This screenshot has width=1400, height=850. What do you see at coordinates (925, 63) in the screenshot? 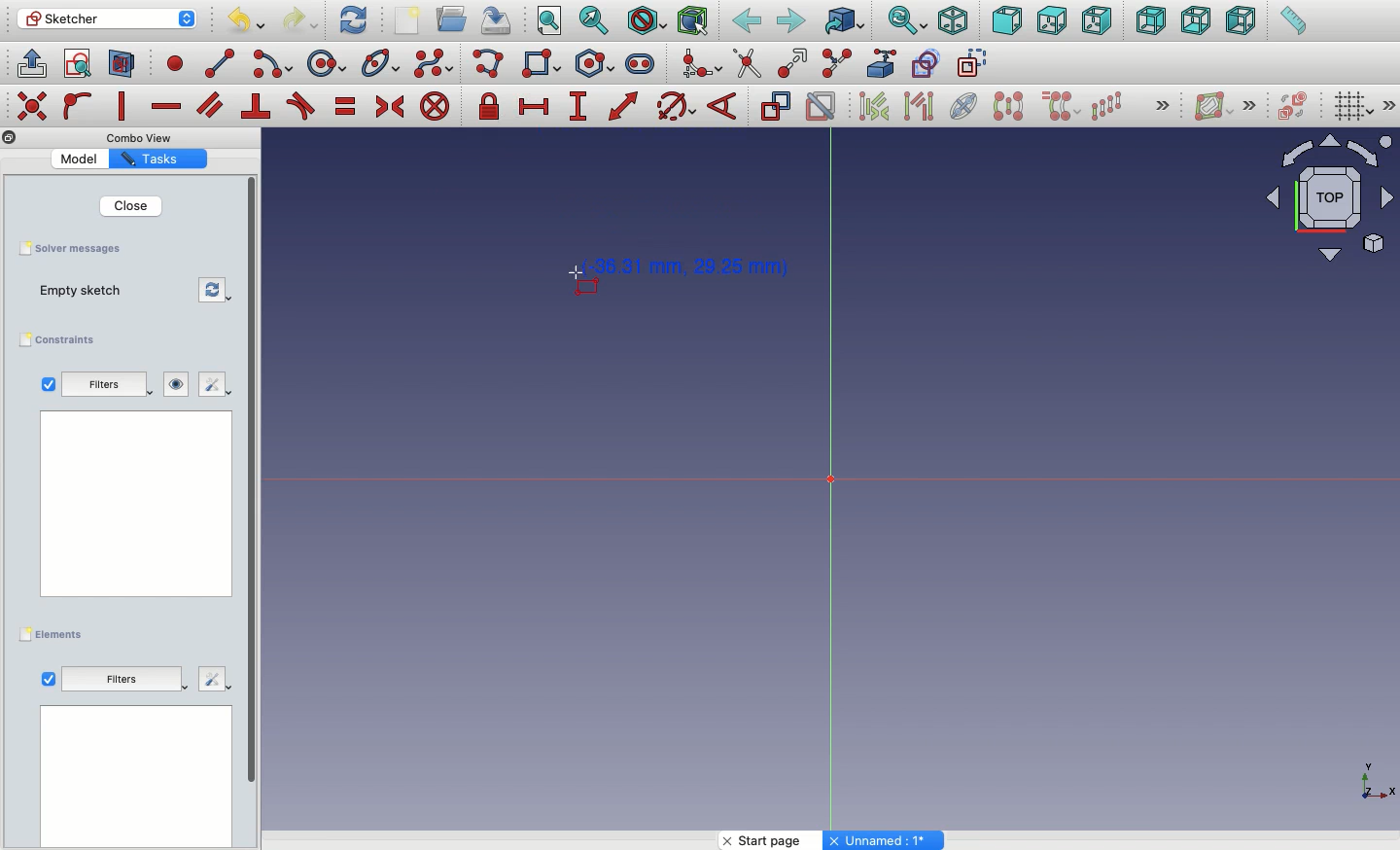
I see `Carbon copy` at bounding box center [925, 63].